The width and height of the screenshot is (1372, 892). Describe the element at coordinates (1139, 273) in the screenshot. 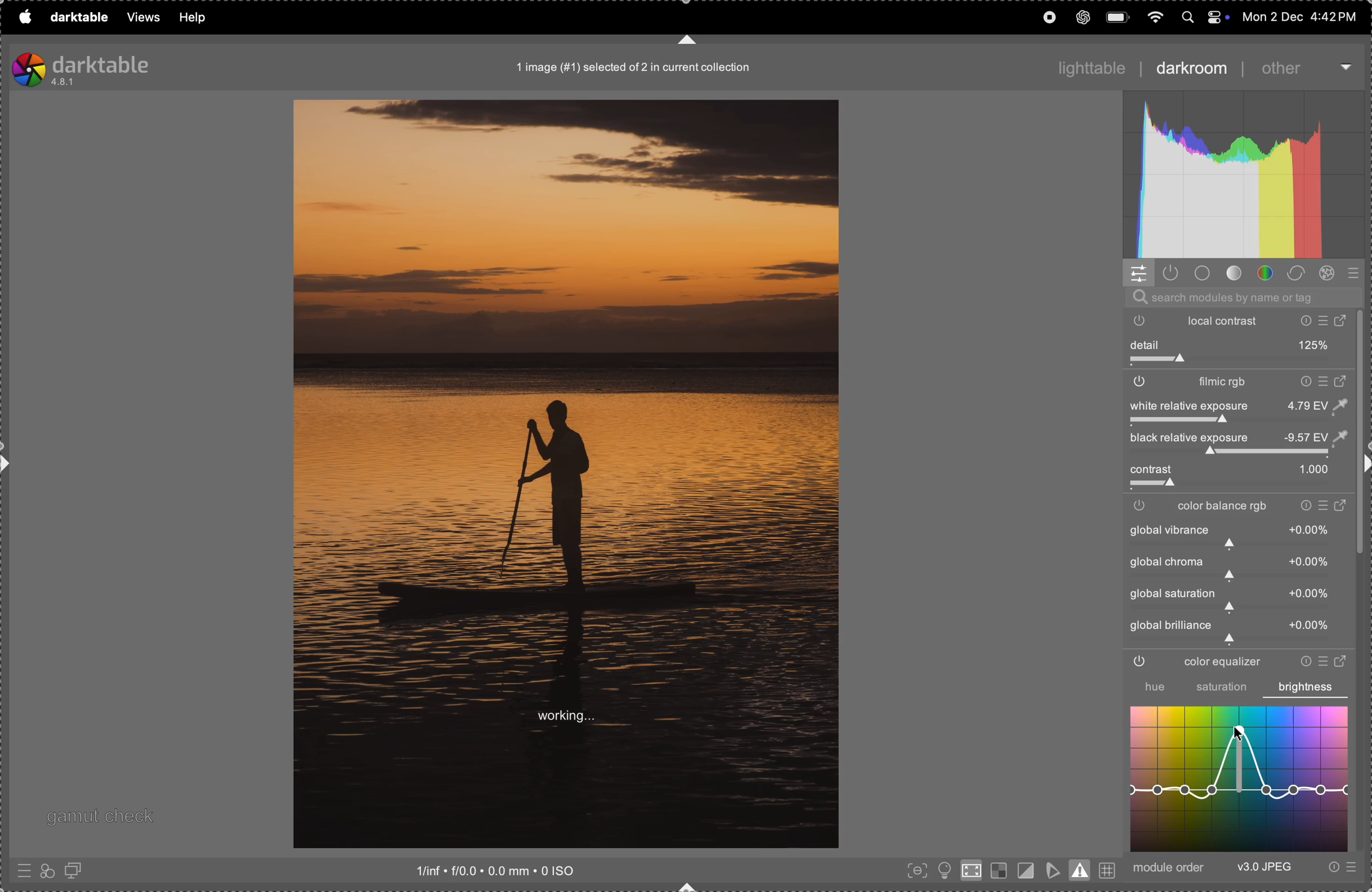

I see `quick access panel` at that location.